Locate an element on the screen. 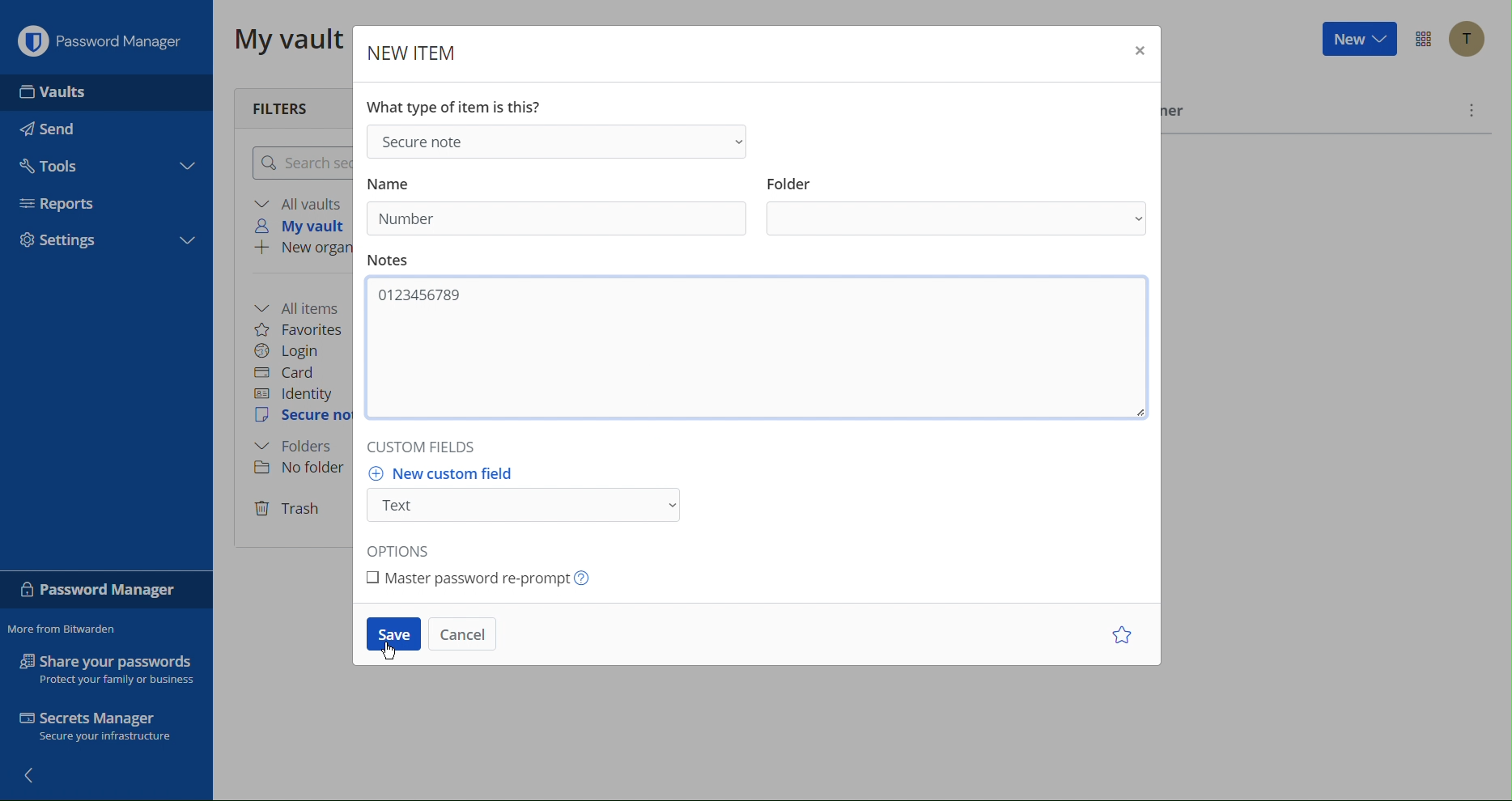 This screenshot has height=801, width=1512. Password Manager is located at coordinates (101, 38).